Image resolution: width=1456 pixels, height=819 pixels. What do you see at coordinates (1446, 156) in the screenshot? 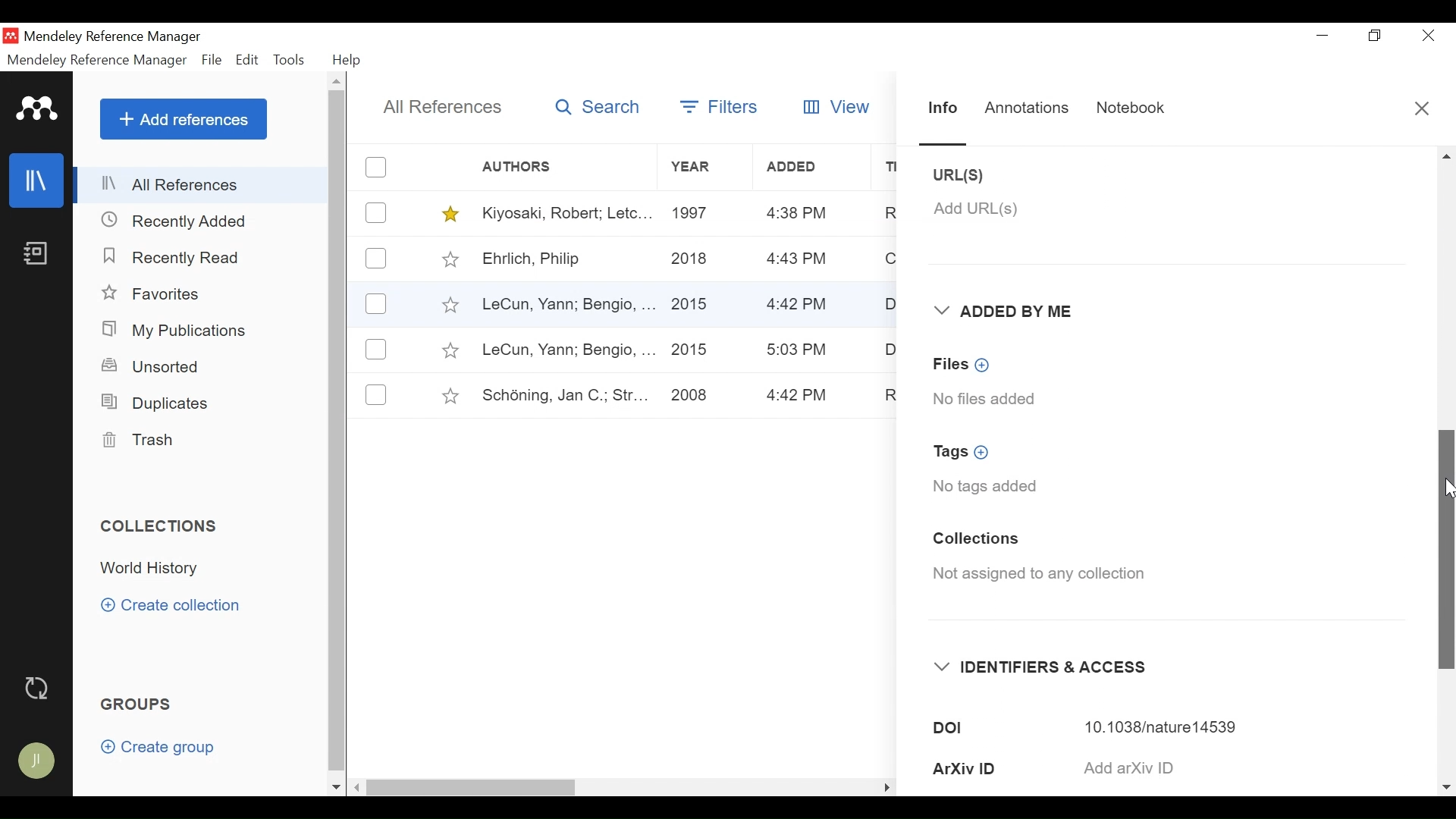
I see `Up` at bounding box center [1446, 156].